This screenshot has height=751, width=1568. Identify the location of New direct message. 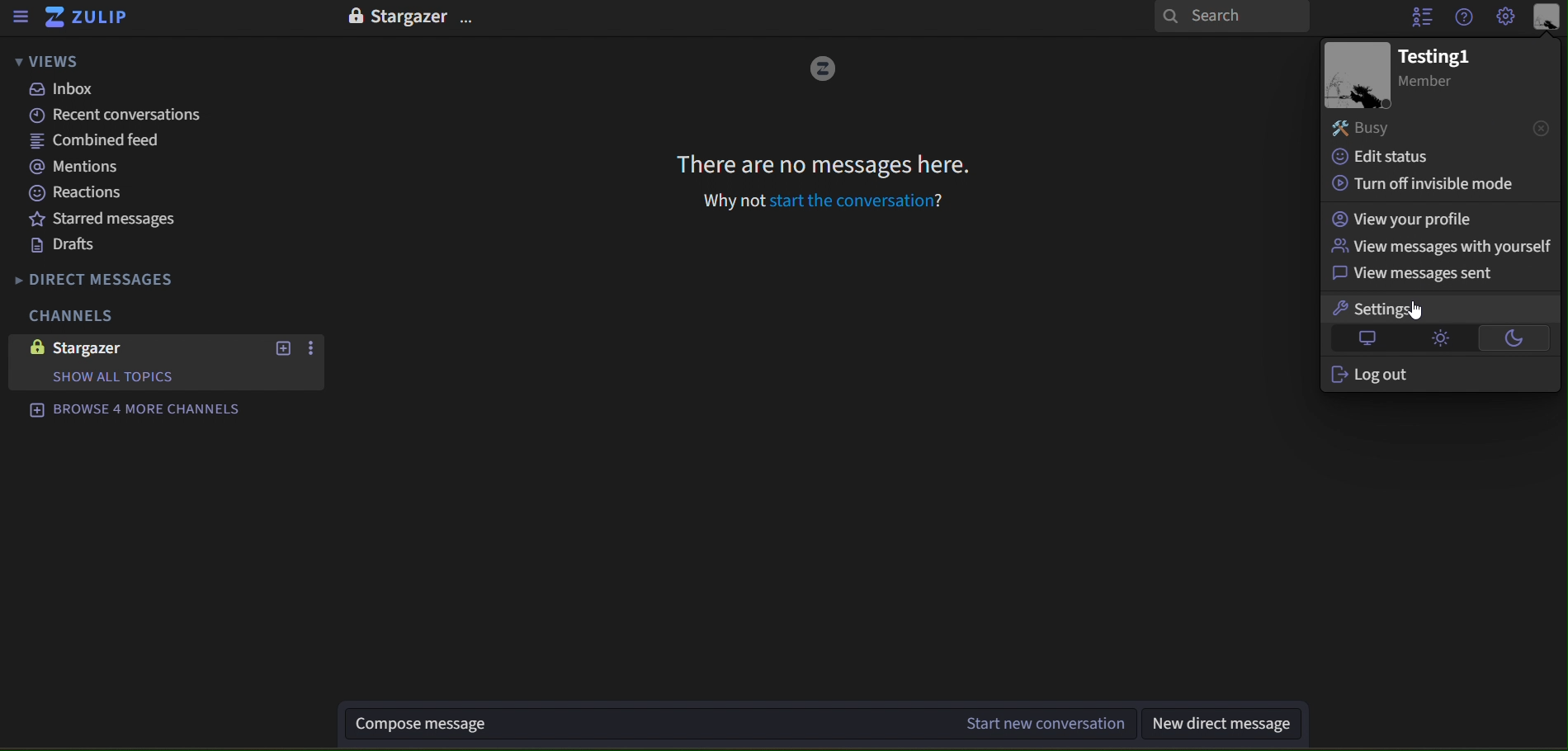
(1230, 725).